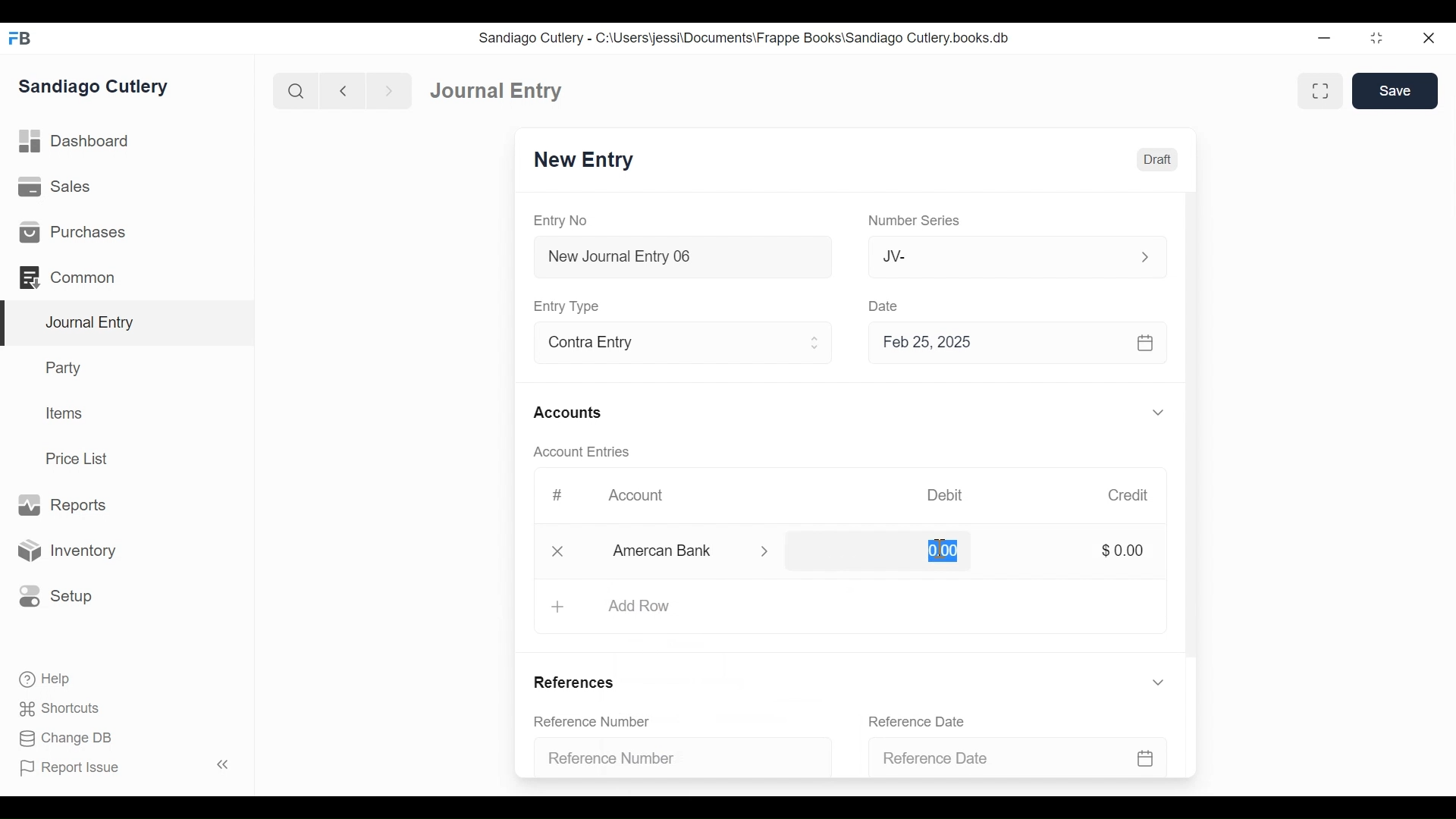  What do you see at coordinates (76, 142) in the screenshot?
I see `Dashboard` at bounding box center [76, 142].